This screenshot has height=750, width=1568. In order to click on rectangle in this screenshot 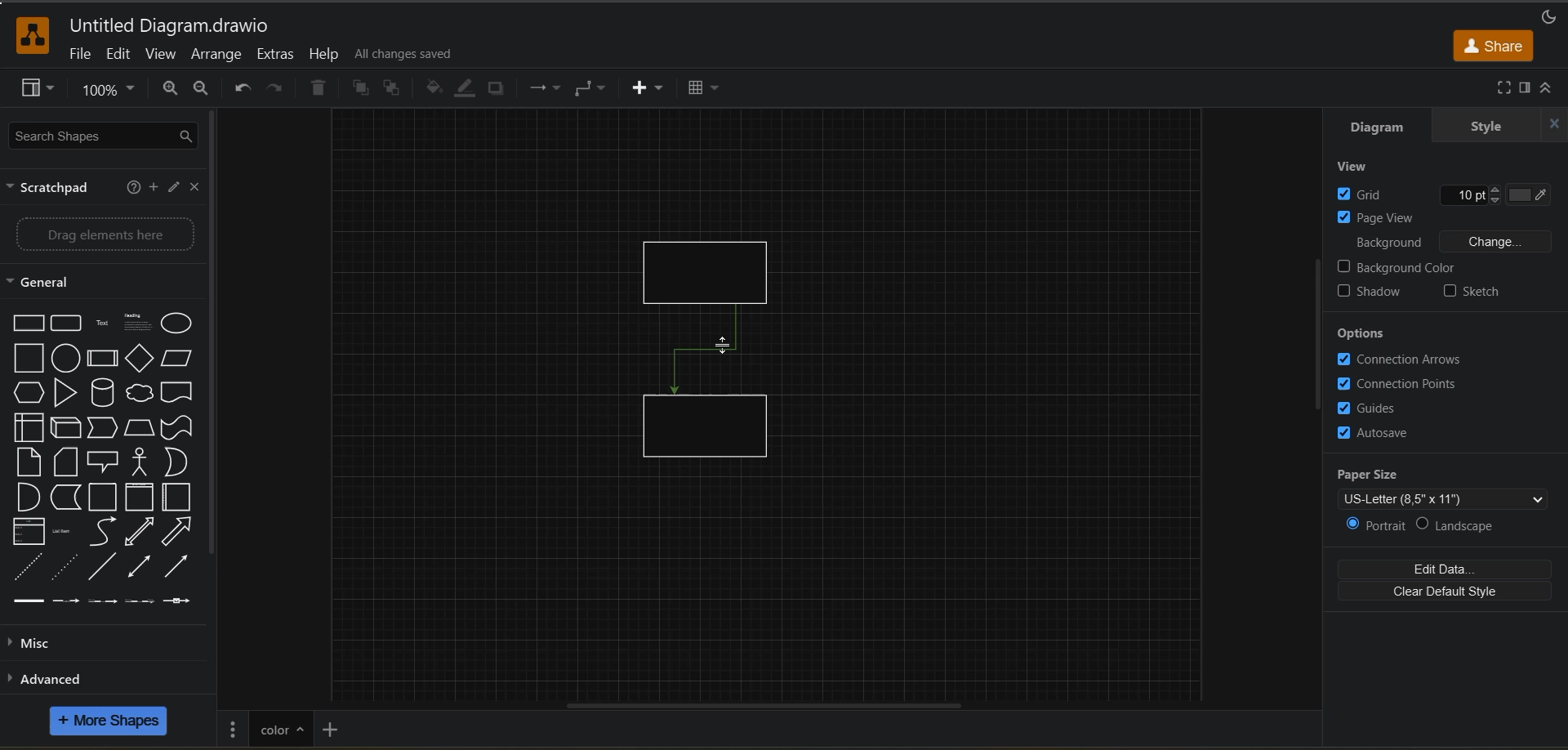, I will do `click(713, 268)`.